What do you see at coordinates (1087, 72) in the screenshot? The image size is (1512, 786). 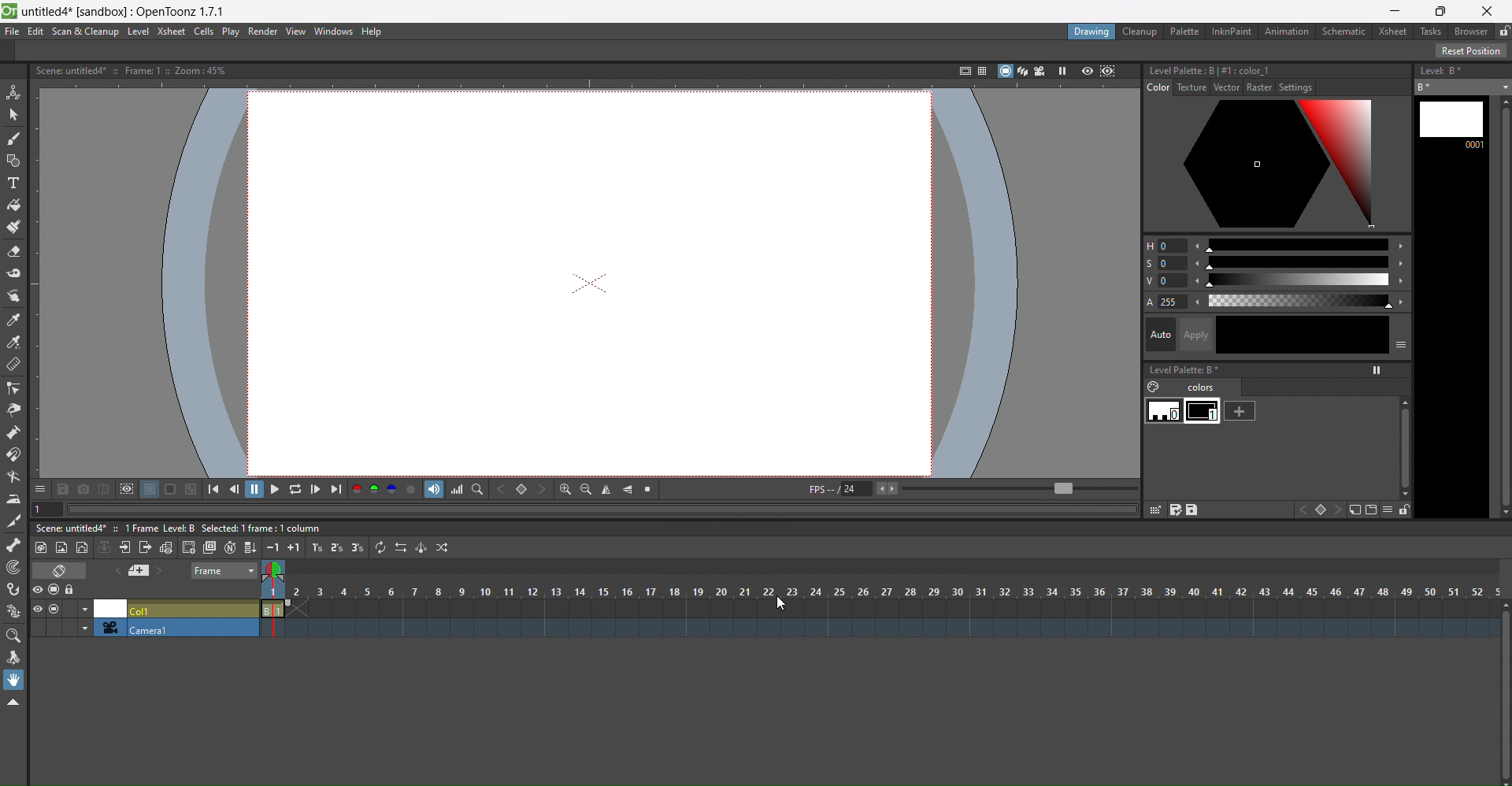 I see `preview` at bounding box center [1087, 72].